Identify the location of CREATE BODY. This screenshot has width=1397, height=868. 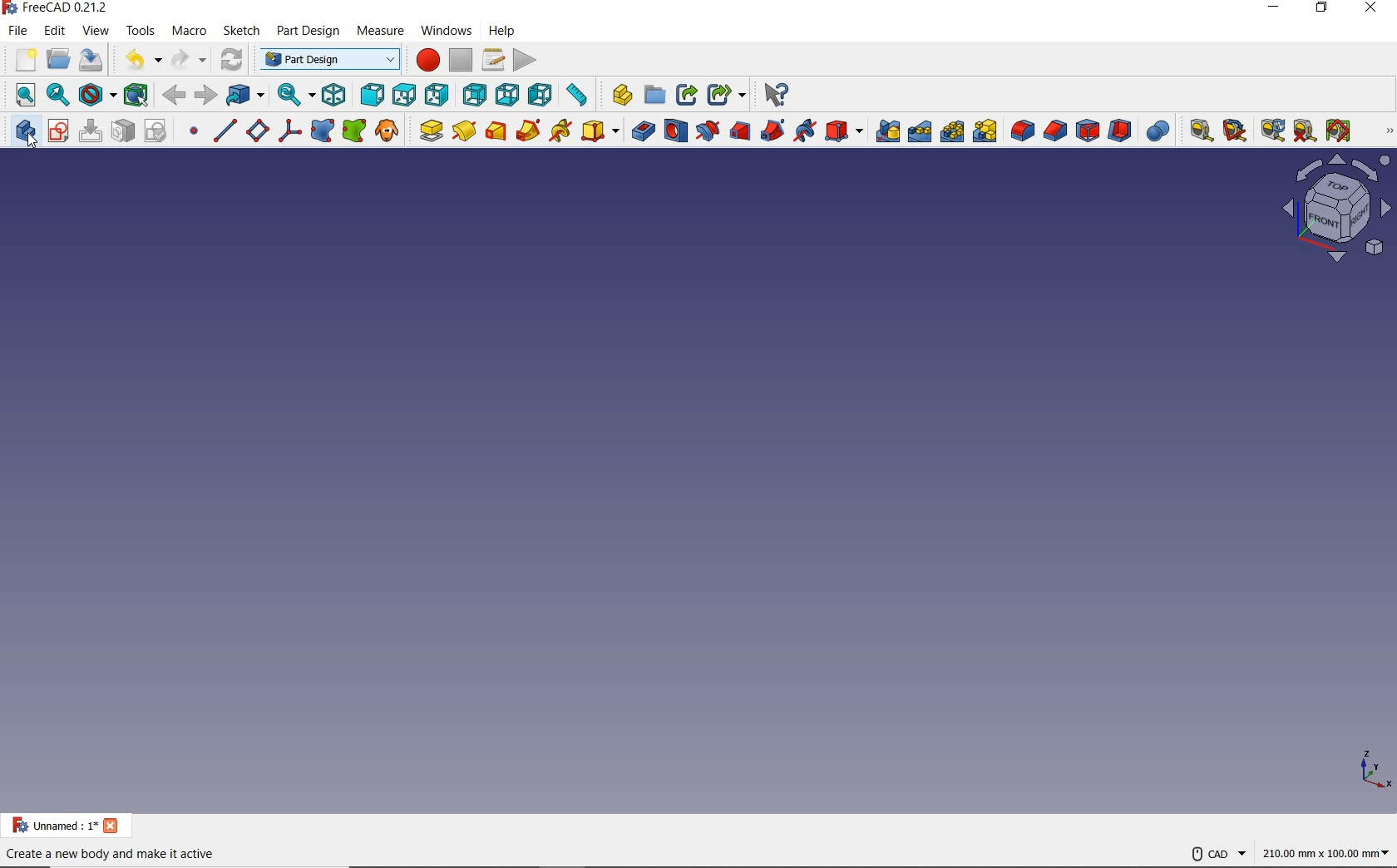
(27, 135).